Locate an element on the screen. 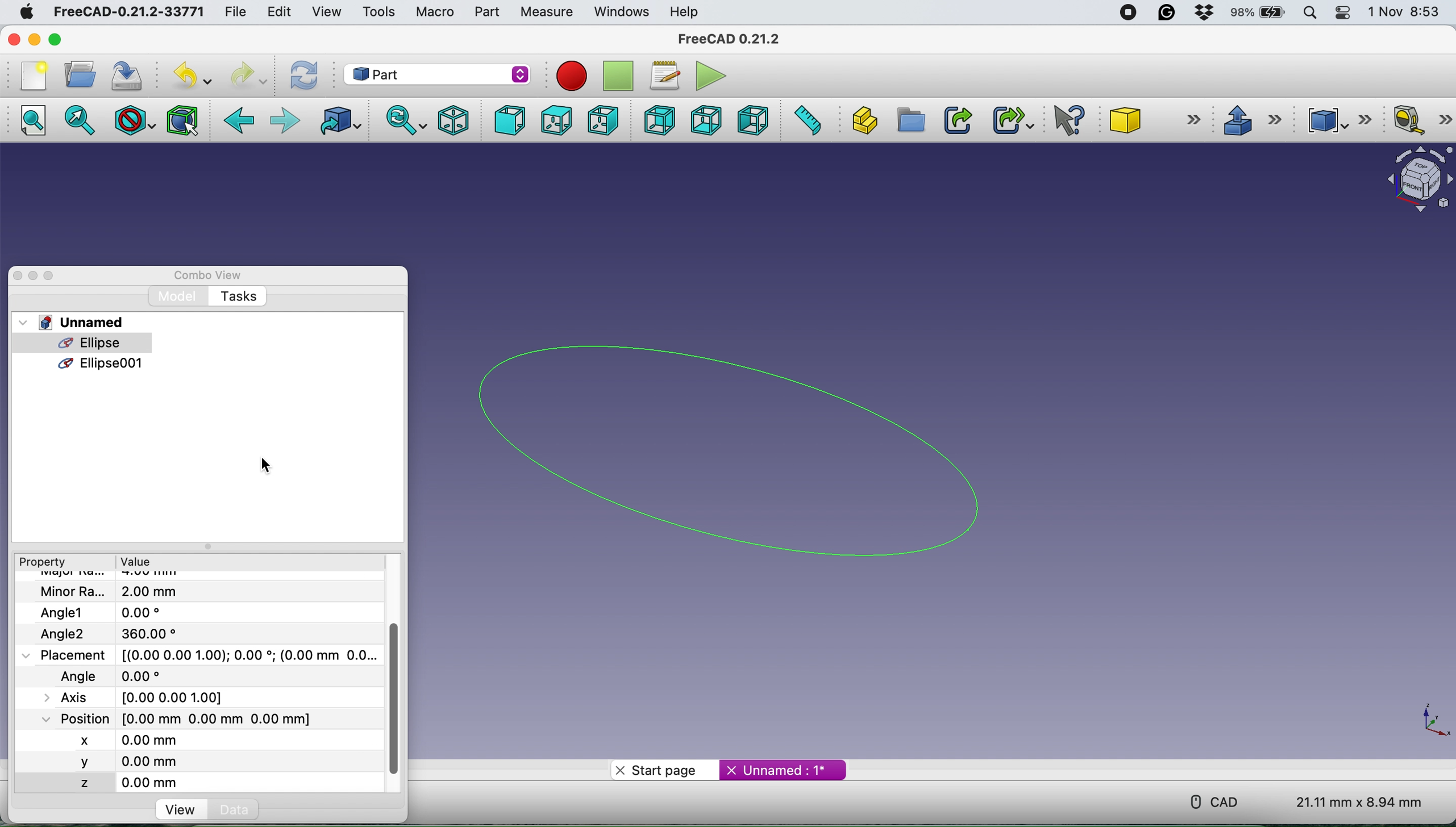 The height and width of the screenshot is (827, 1456). macro is located at coordinates (434, 12).